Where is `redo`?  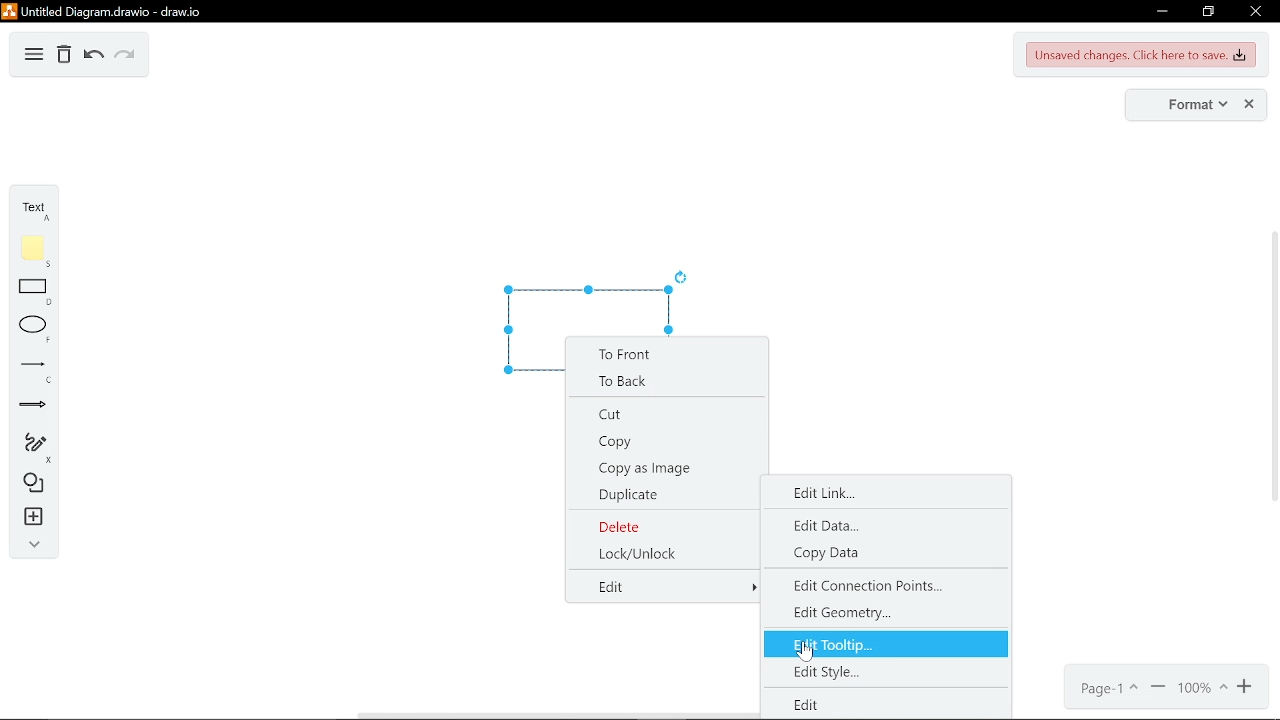 redo is located at coordinates (125, 57).